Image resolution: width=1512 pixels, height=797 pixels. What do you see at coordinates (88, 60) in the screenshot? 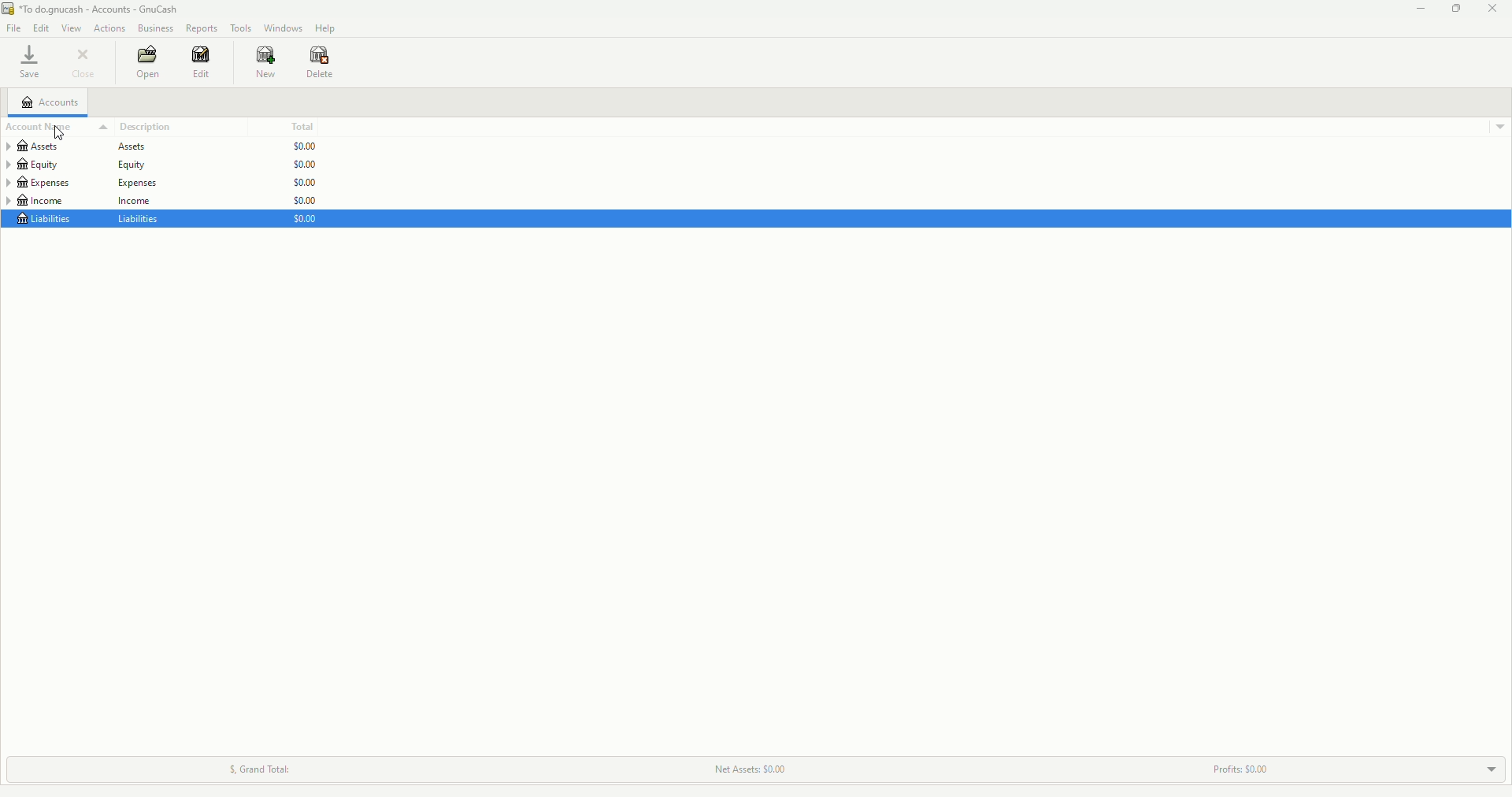
I see `Close` at bounding box center [88, 60].